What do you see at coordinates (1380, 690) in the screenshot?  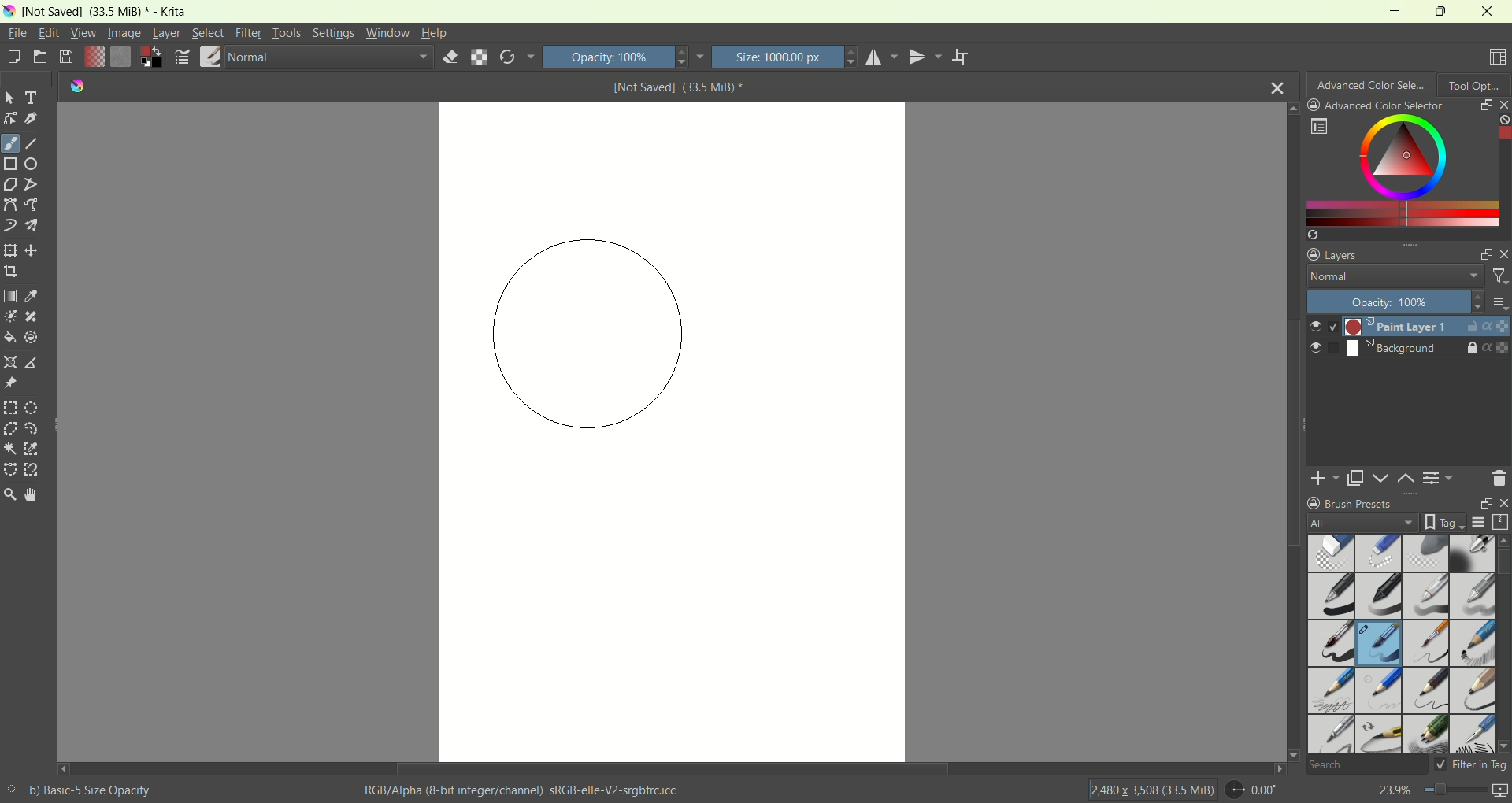 I see `pencil 1 hard` at bounding box center [1380, 690].